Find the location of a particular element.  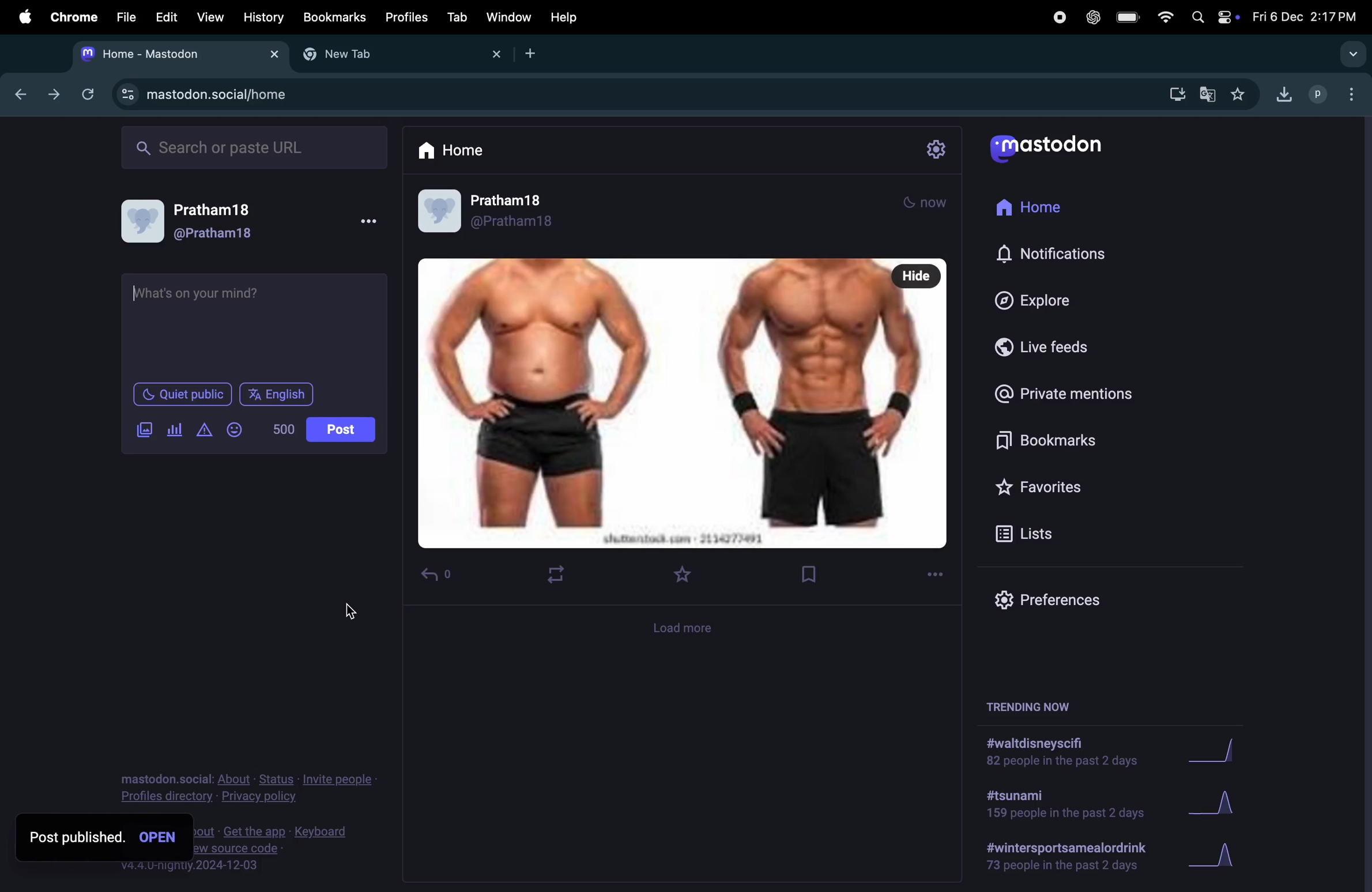

reply is located at coordinates (439, 577).